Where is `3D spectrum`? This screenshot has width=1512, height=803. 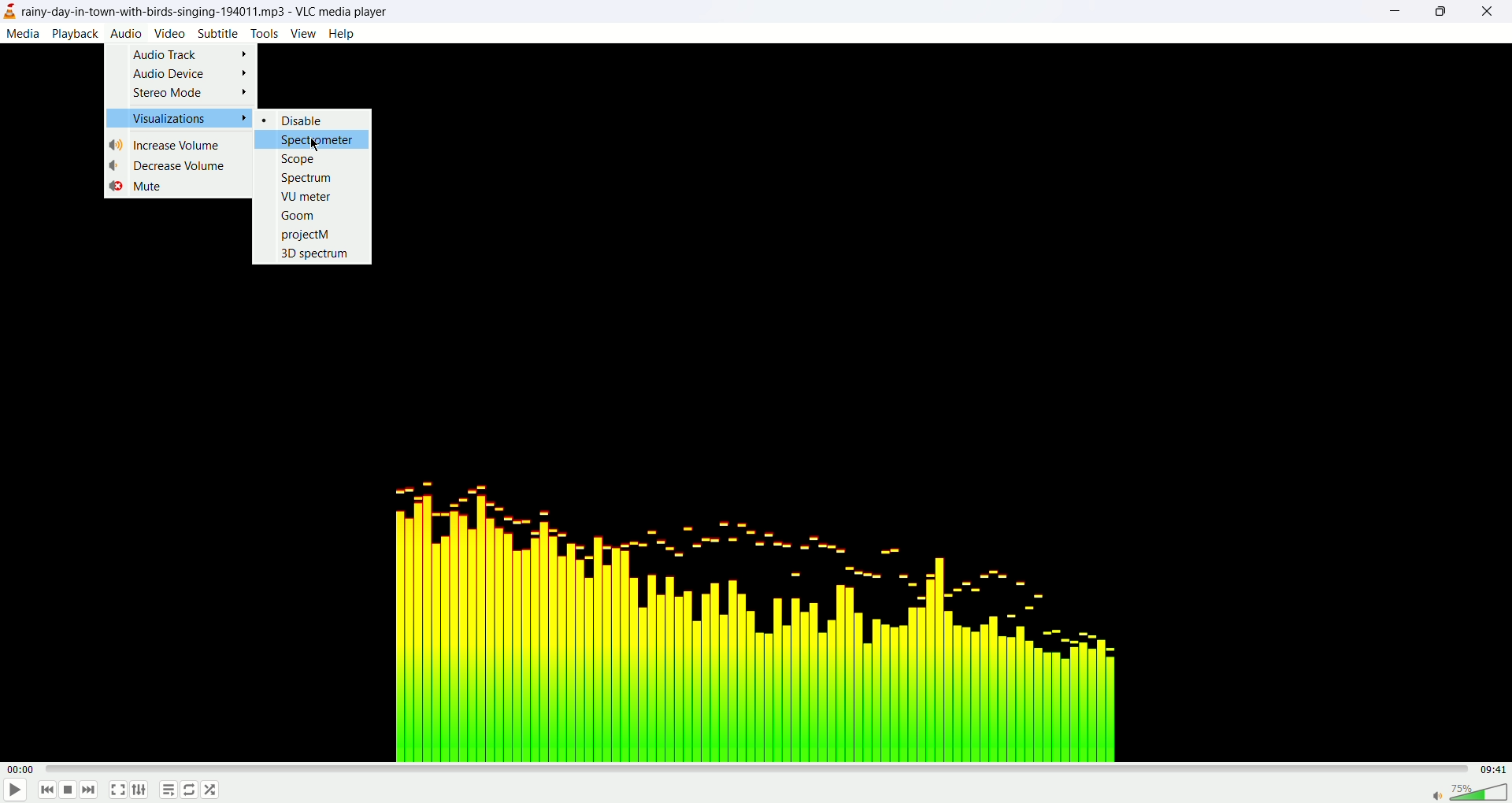
3D spectrum is located at coordinates (314, 254).